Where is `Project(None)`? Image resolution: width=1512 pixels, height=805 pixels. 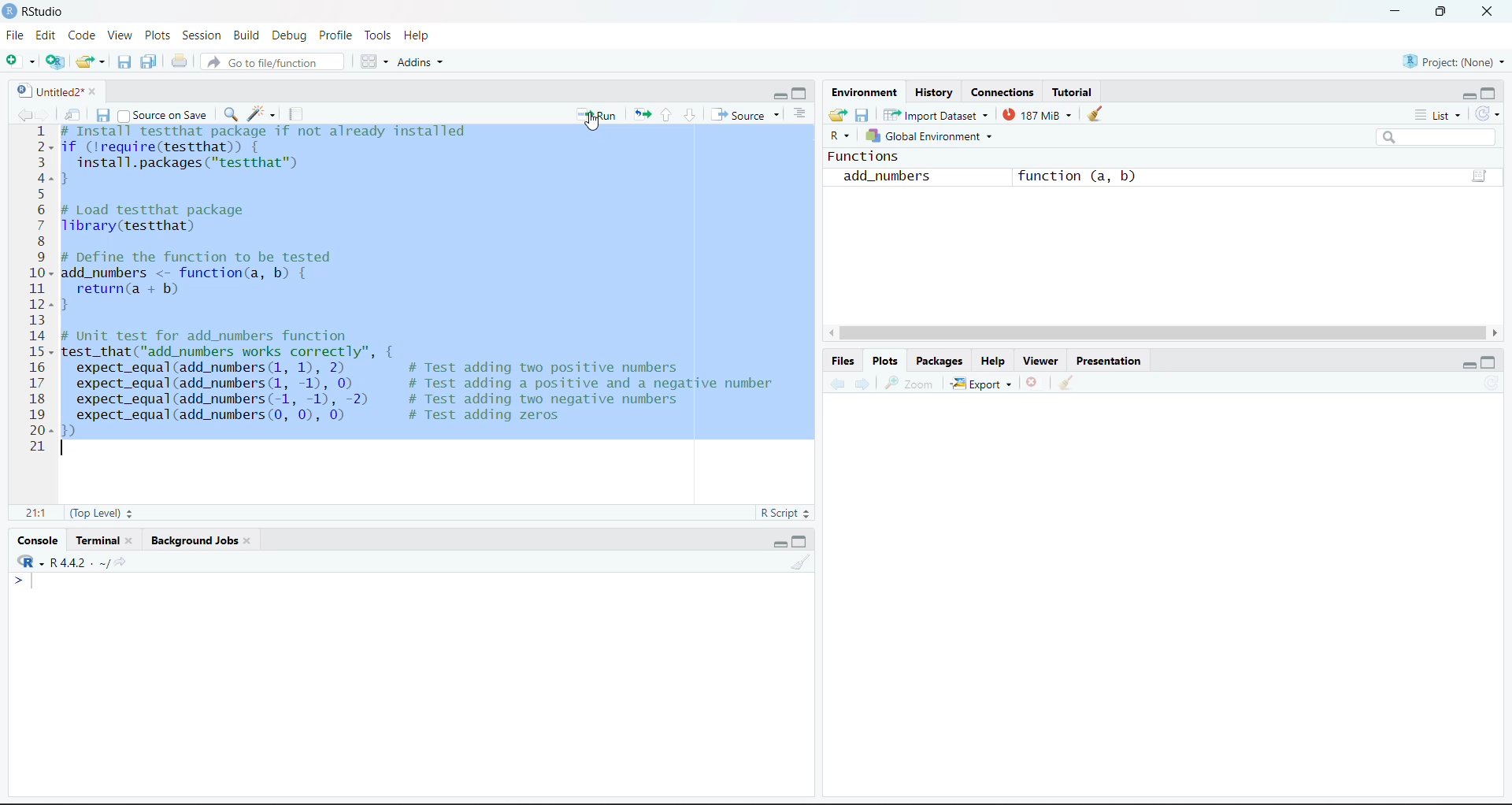
Project(None) is located at coordinates (1454, 63).